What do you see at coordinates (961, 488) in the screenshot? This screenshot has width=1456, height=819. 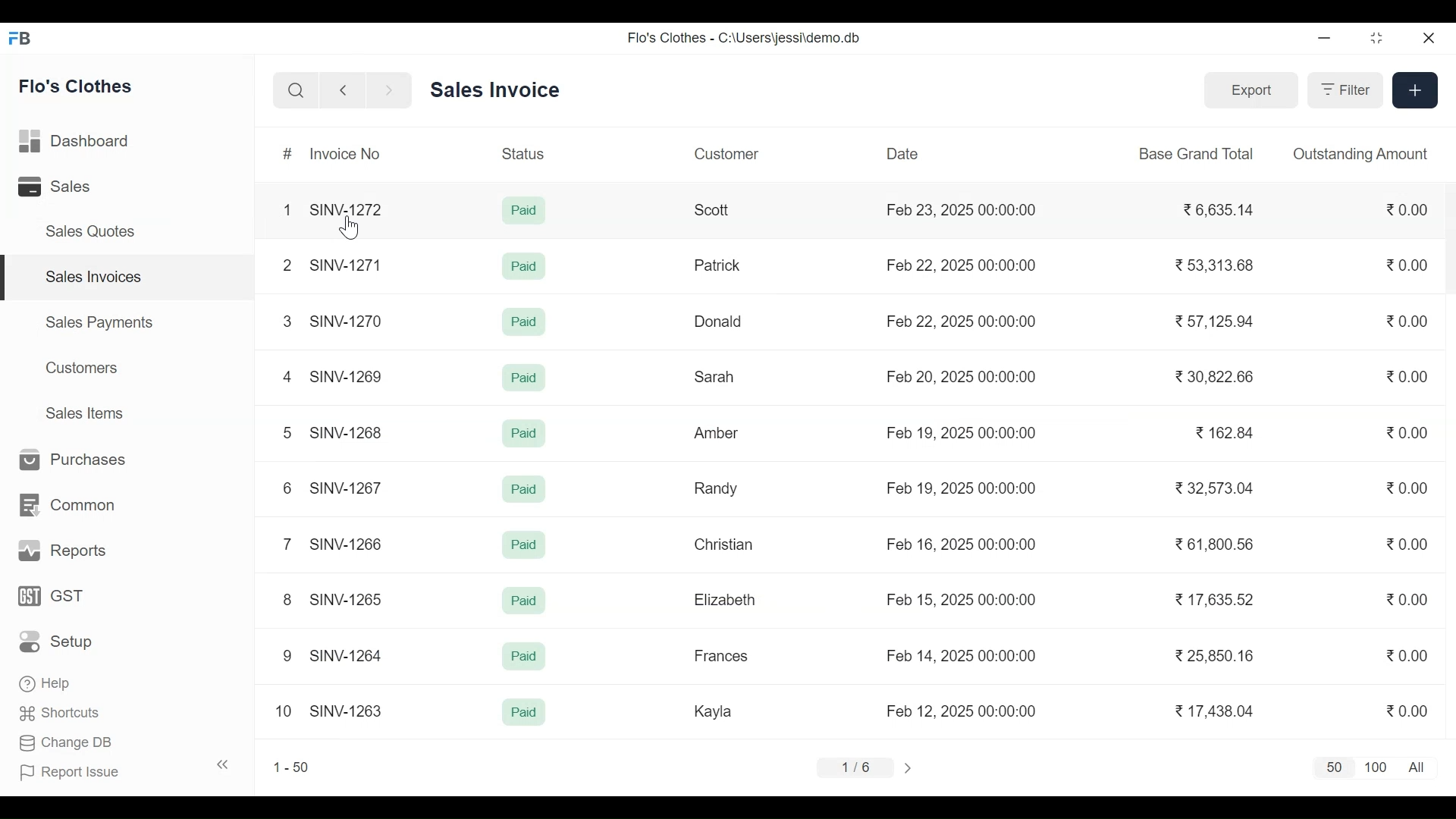 I see `Feb 19, 2025 00:00:00` at bounding box center [961, 488].